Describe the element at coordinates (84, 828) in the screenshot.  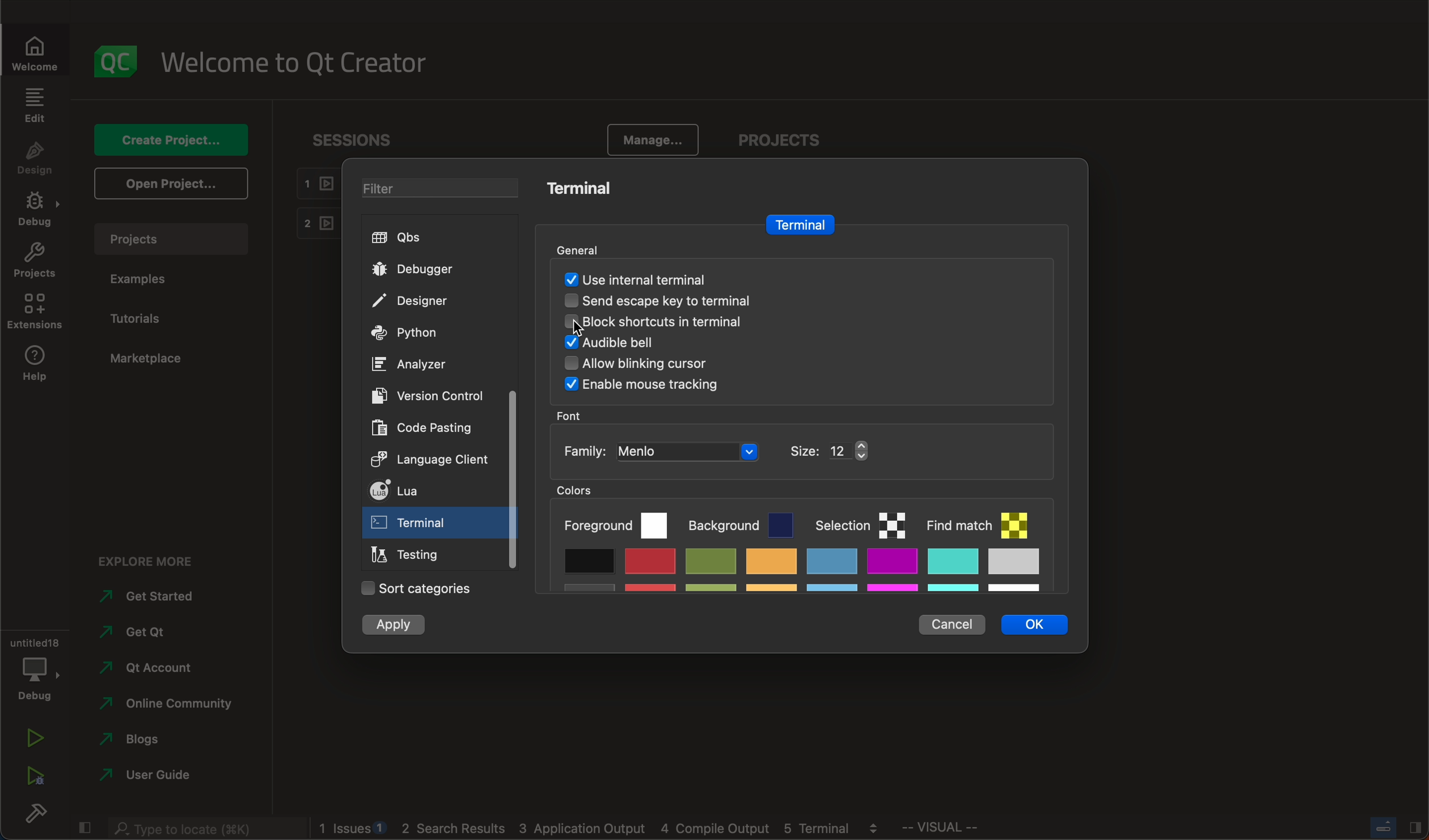
I see `close slidebar` at that location.